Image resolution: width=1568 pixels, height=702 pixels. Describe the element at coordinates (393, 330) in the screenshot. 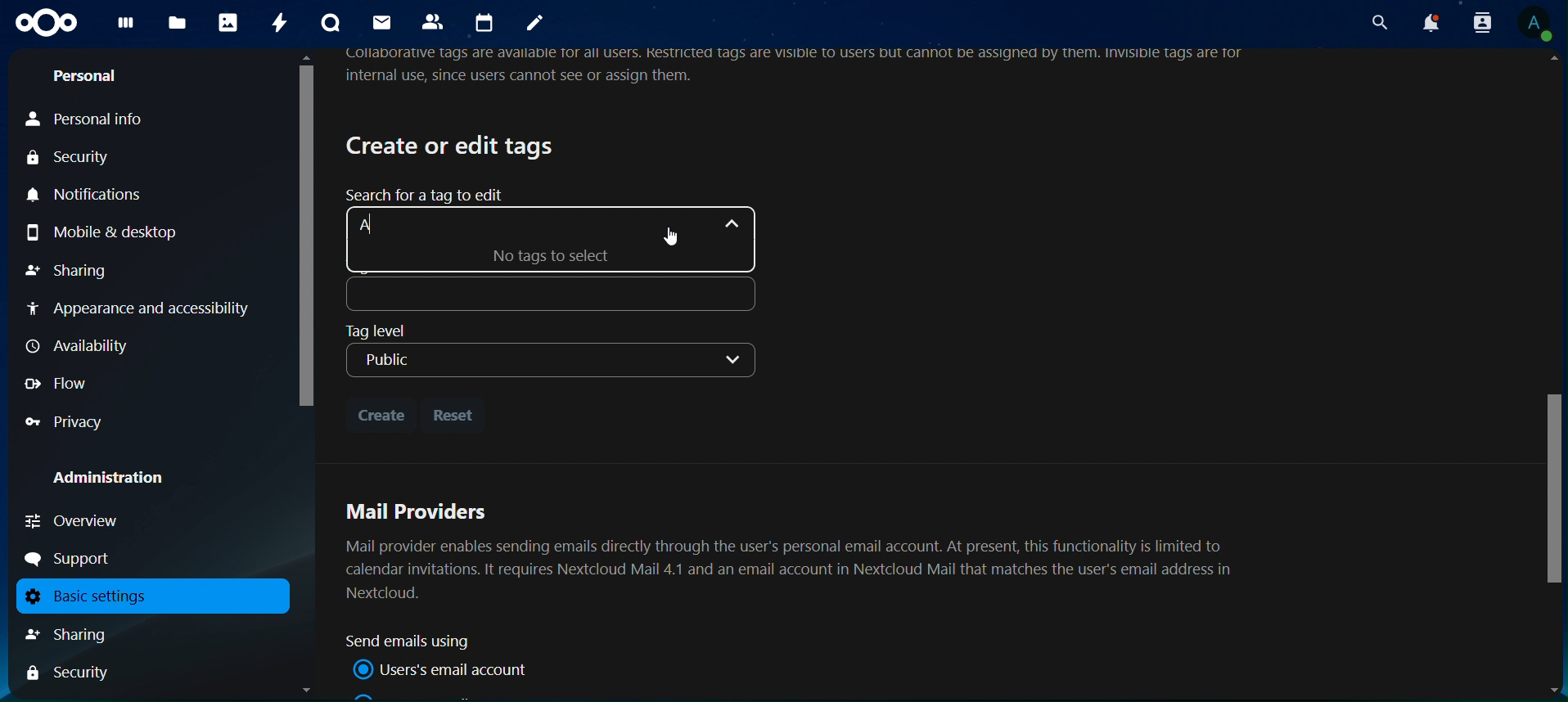

I see `tag level` at that location.